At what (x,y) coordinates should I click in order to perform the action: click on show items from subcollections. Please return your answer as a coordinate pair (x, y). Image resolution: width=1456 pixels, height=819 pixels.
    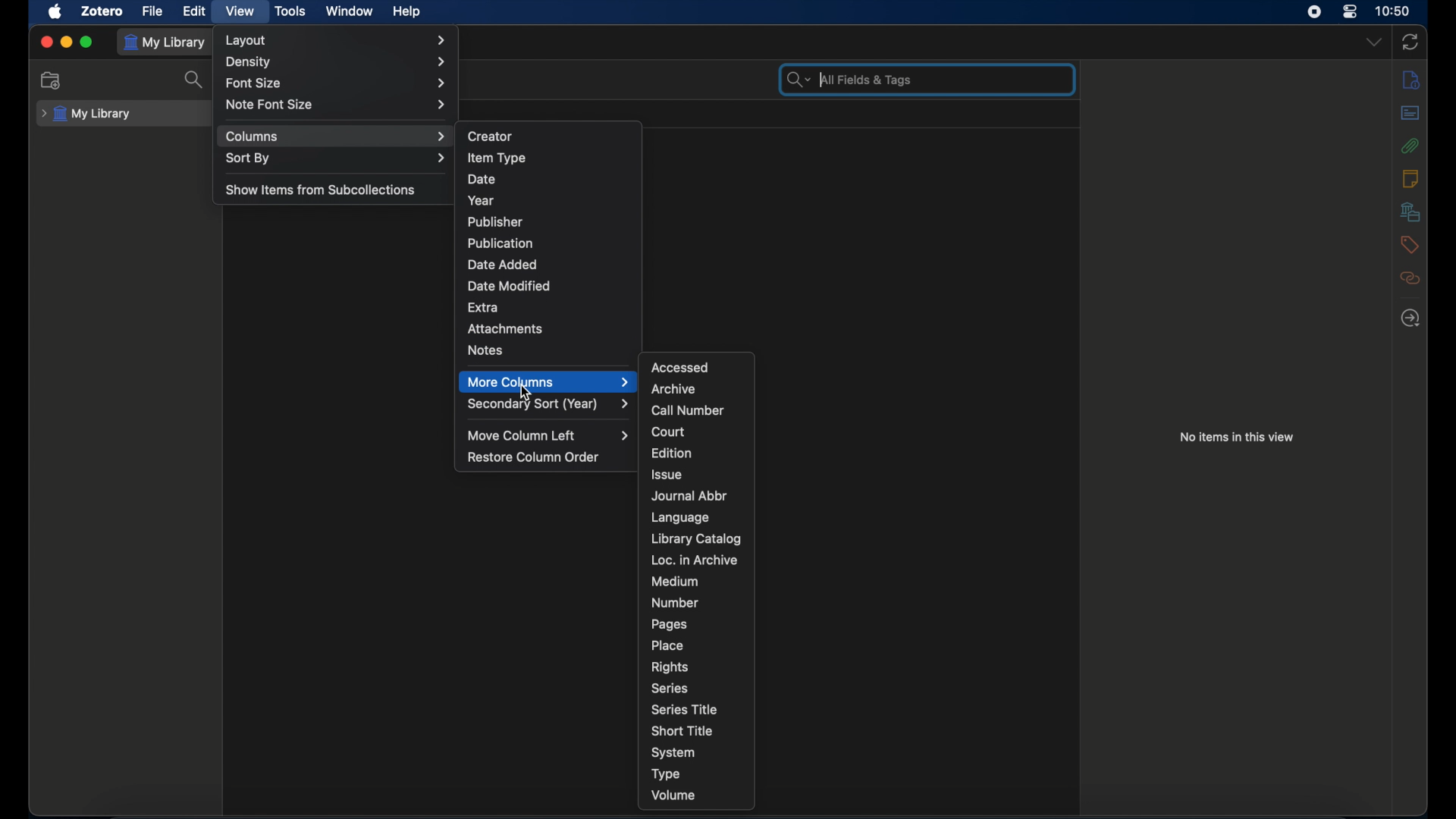
    Looking at the image, I should click on (322, 189).